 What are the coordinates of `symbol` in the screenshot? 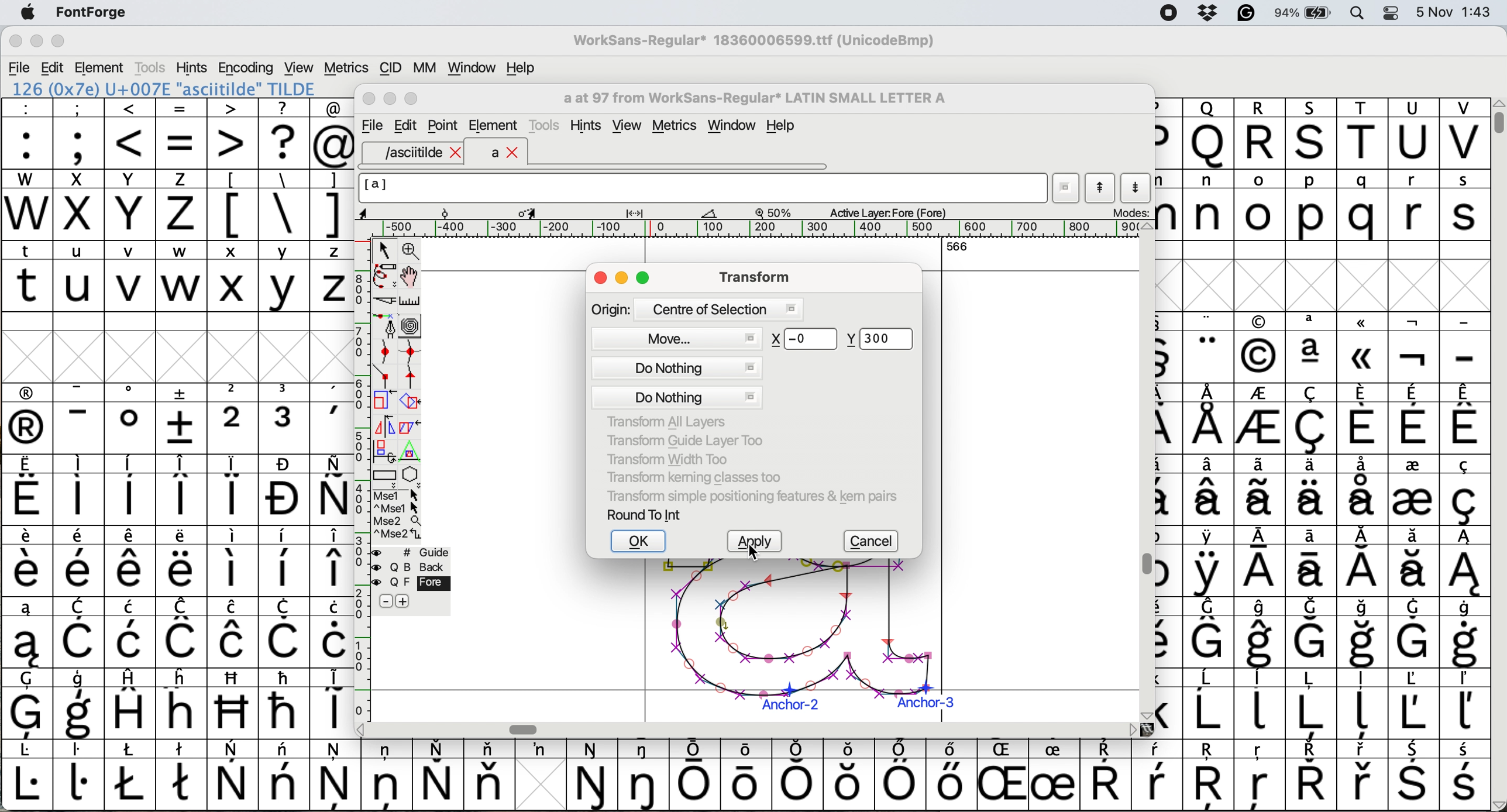 It's located at (1209, 348).